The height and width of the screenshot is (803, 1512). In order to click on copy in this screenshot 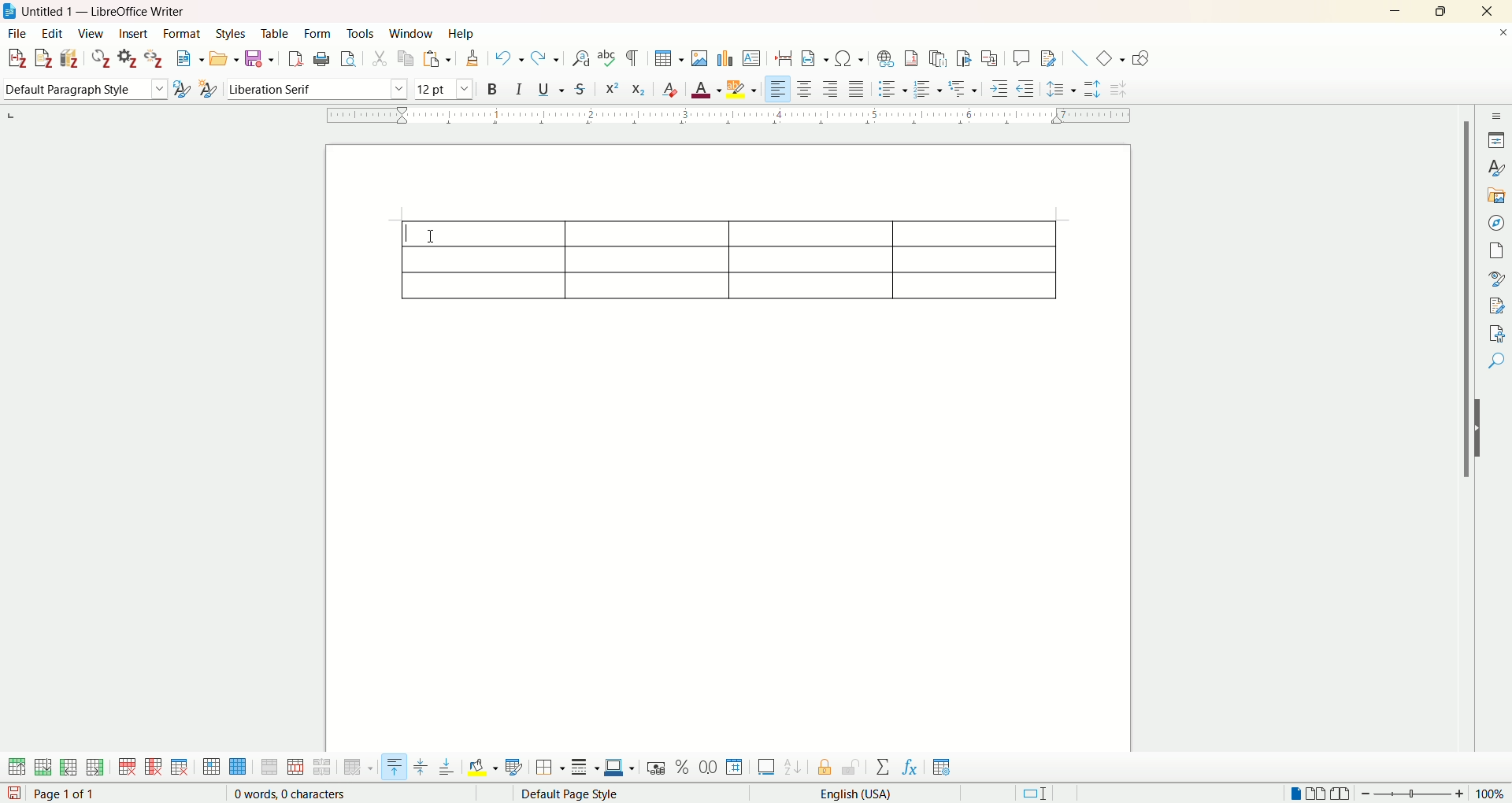, I will do `click(409, 59)`.